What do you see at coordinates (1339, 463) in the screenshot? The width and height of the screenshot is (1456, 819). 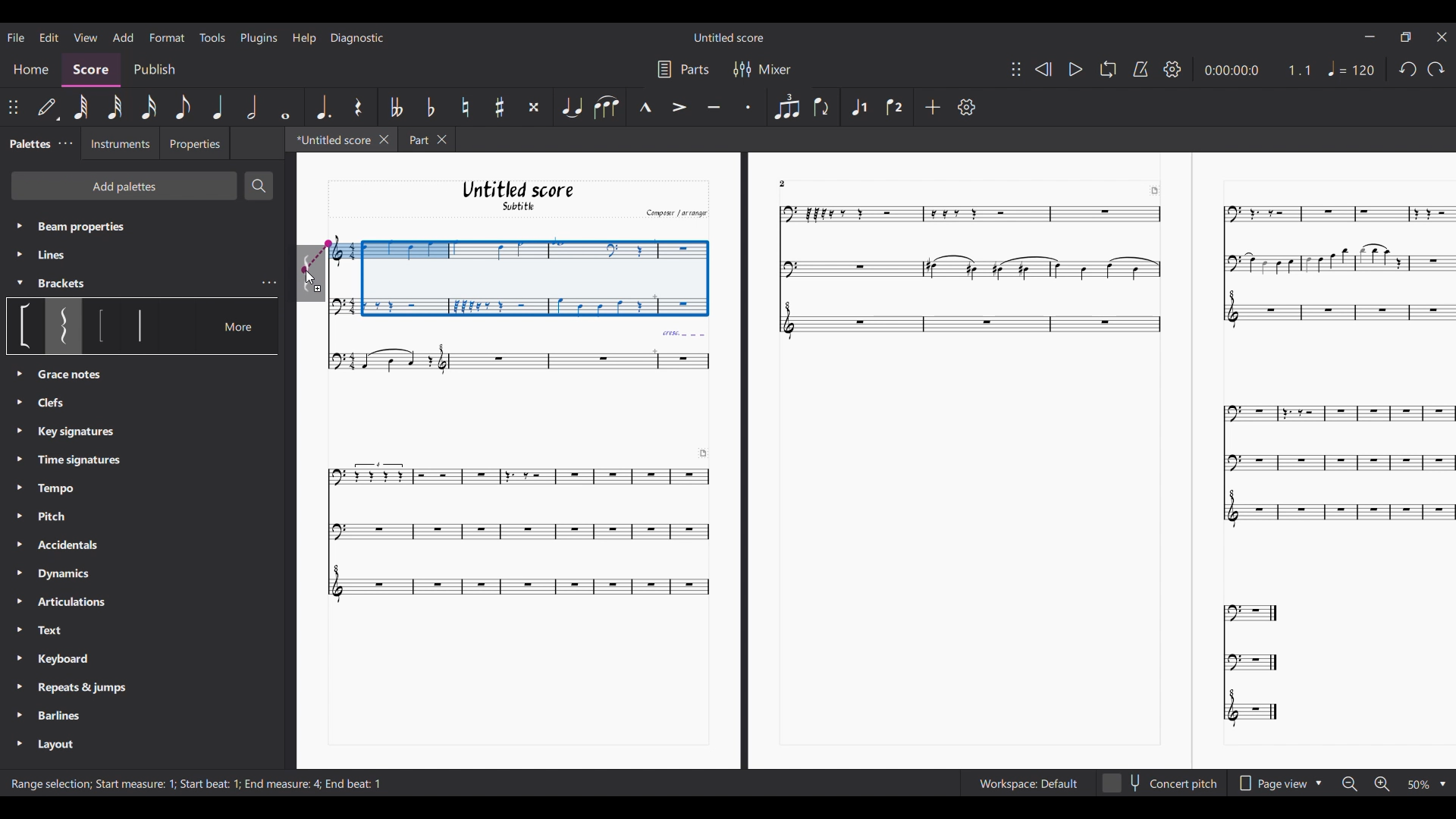 I see `` at bounding box center [1339, 463].